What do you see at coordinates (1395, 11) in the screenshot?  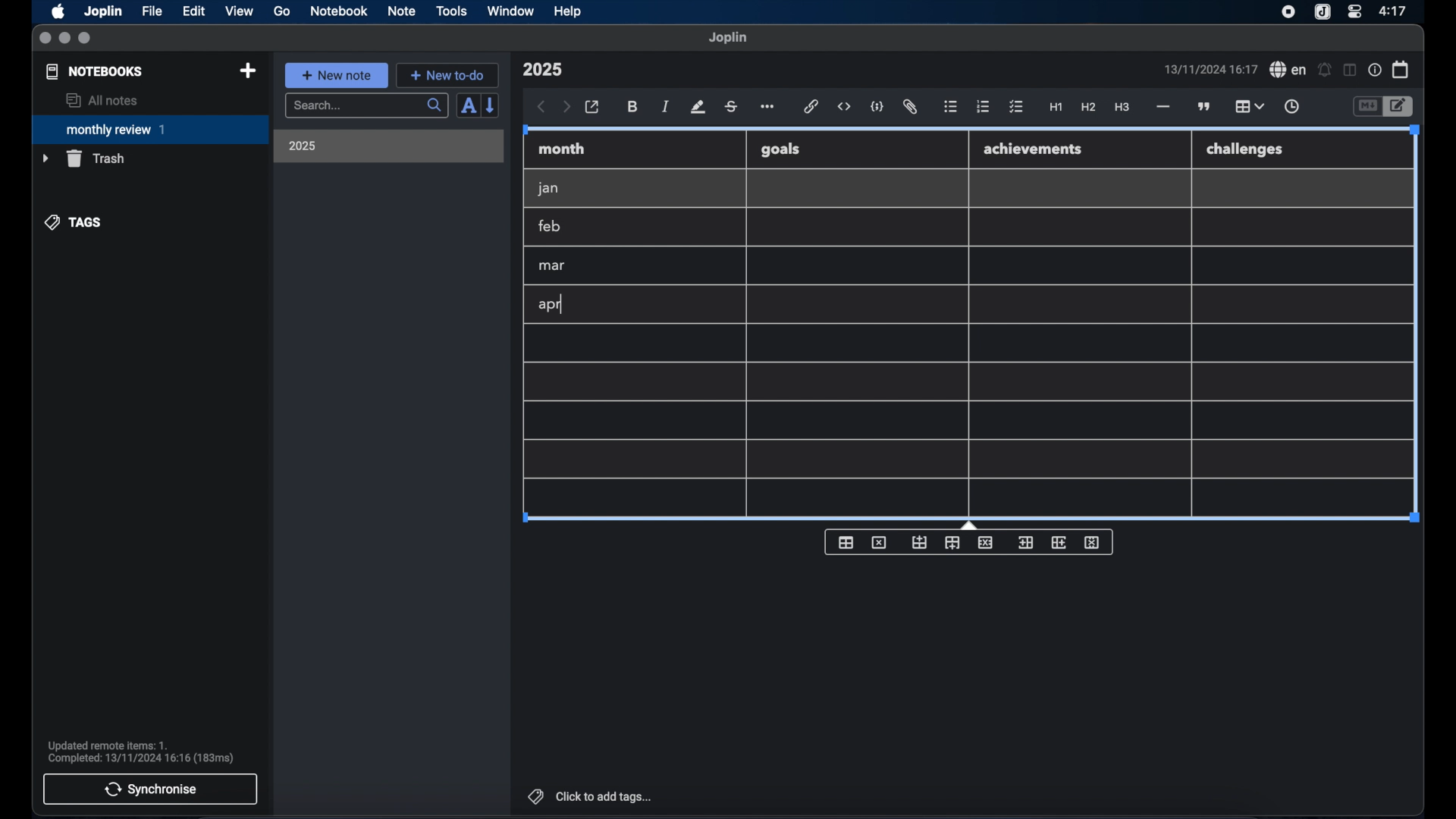 I see `time` at bounding box center [1395, 11].